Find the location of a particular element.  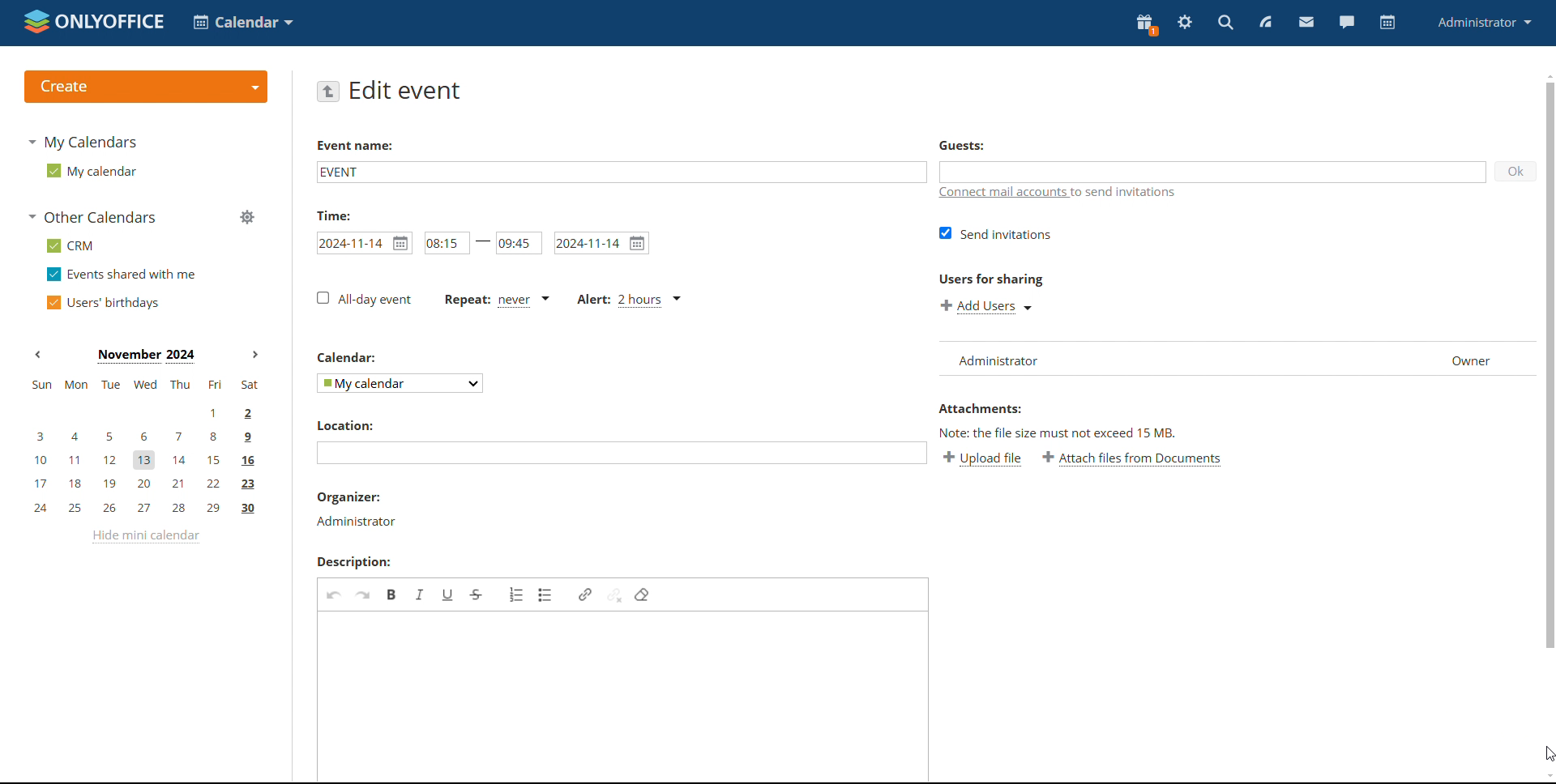

select calendar is located at coordinates (398, 384).